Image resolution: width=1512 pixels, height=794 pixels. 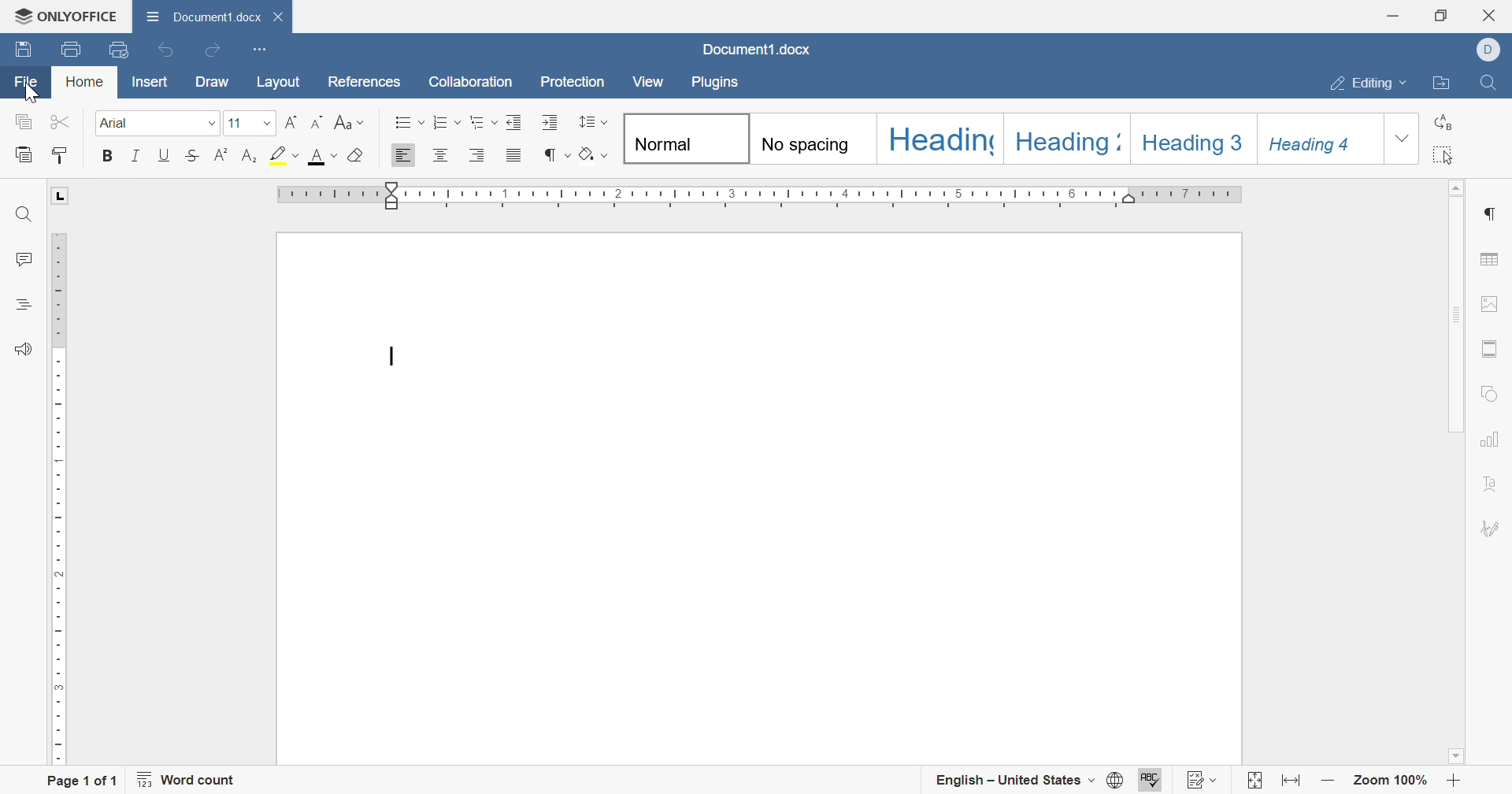 I want to click on scroll bar, so click(x=1454, y=315).